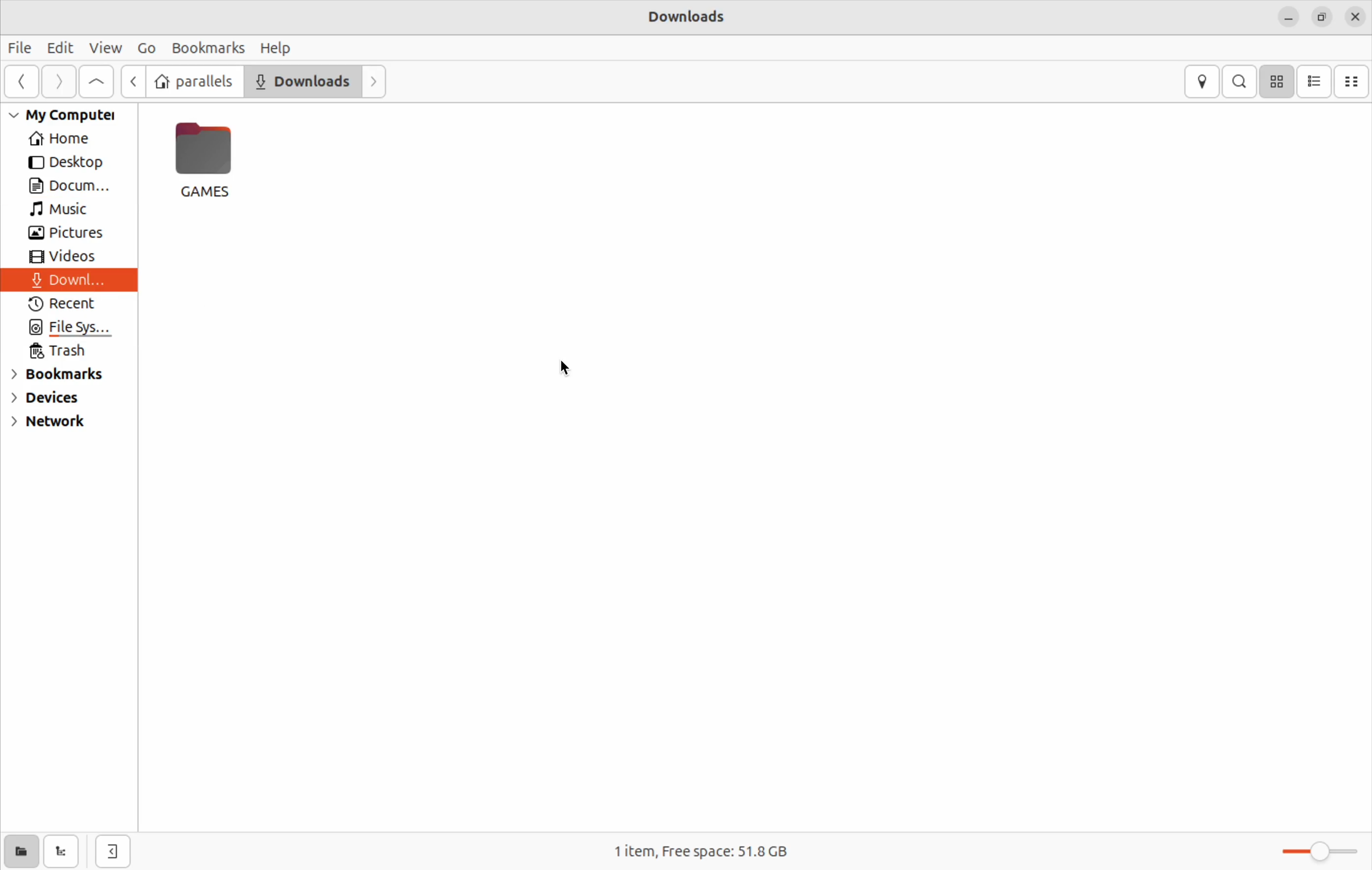 The height and width of the screenshot is (870, 1372). What do you see at coordinates (60, 399) in the screenshot?
I see `devices` at bounding box center [60, 399].